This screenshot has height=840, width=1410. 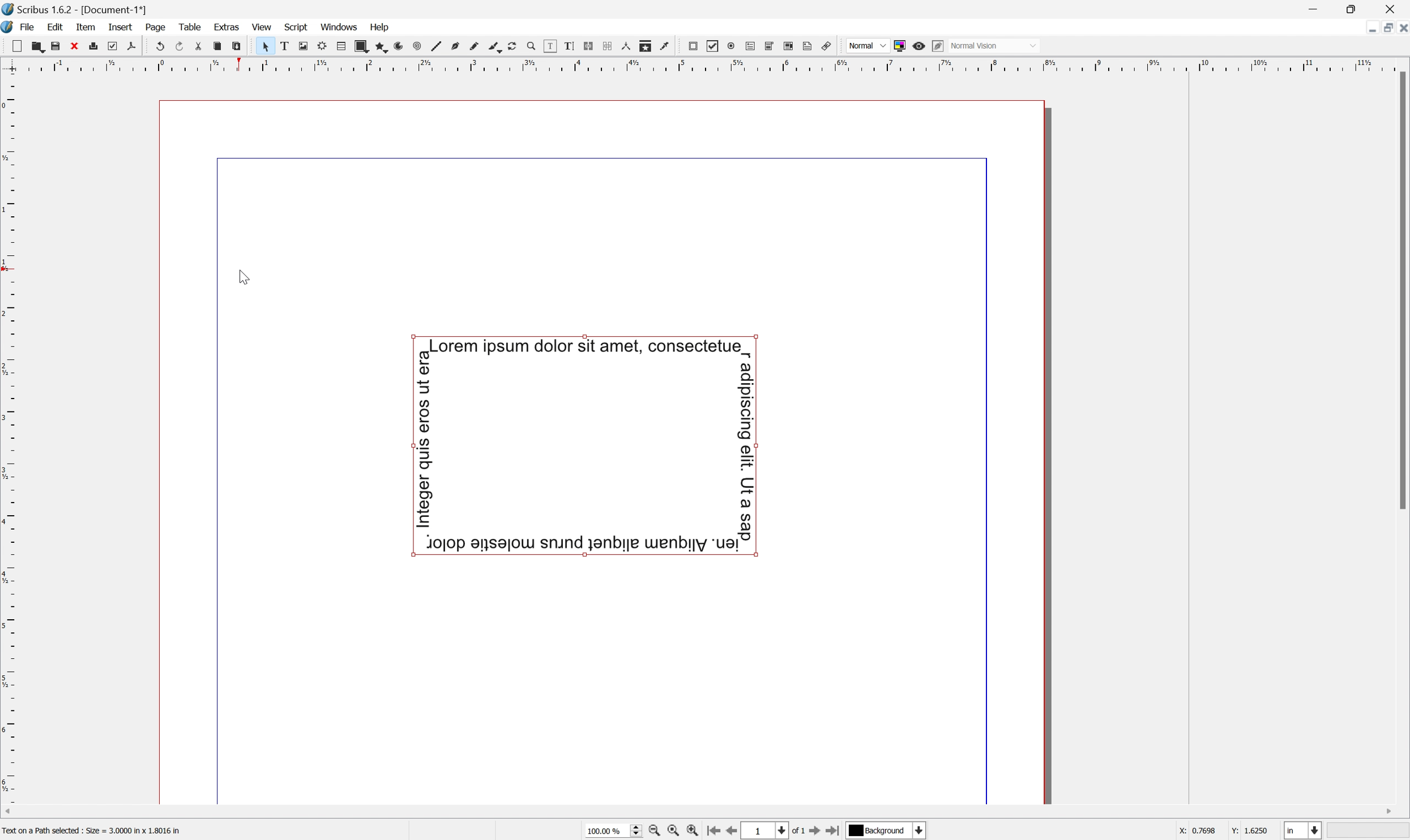 What do you see at coordinates (119, 26) in the screenshot?
I see `Insert` at bounding box center [119, 26].